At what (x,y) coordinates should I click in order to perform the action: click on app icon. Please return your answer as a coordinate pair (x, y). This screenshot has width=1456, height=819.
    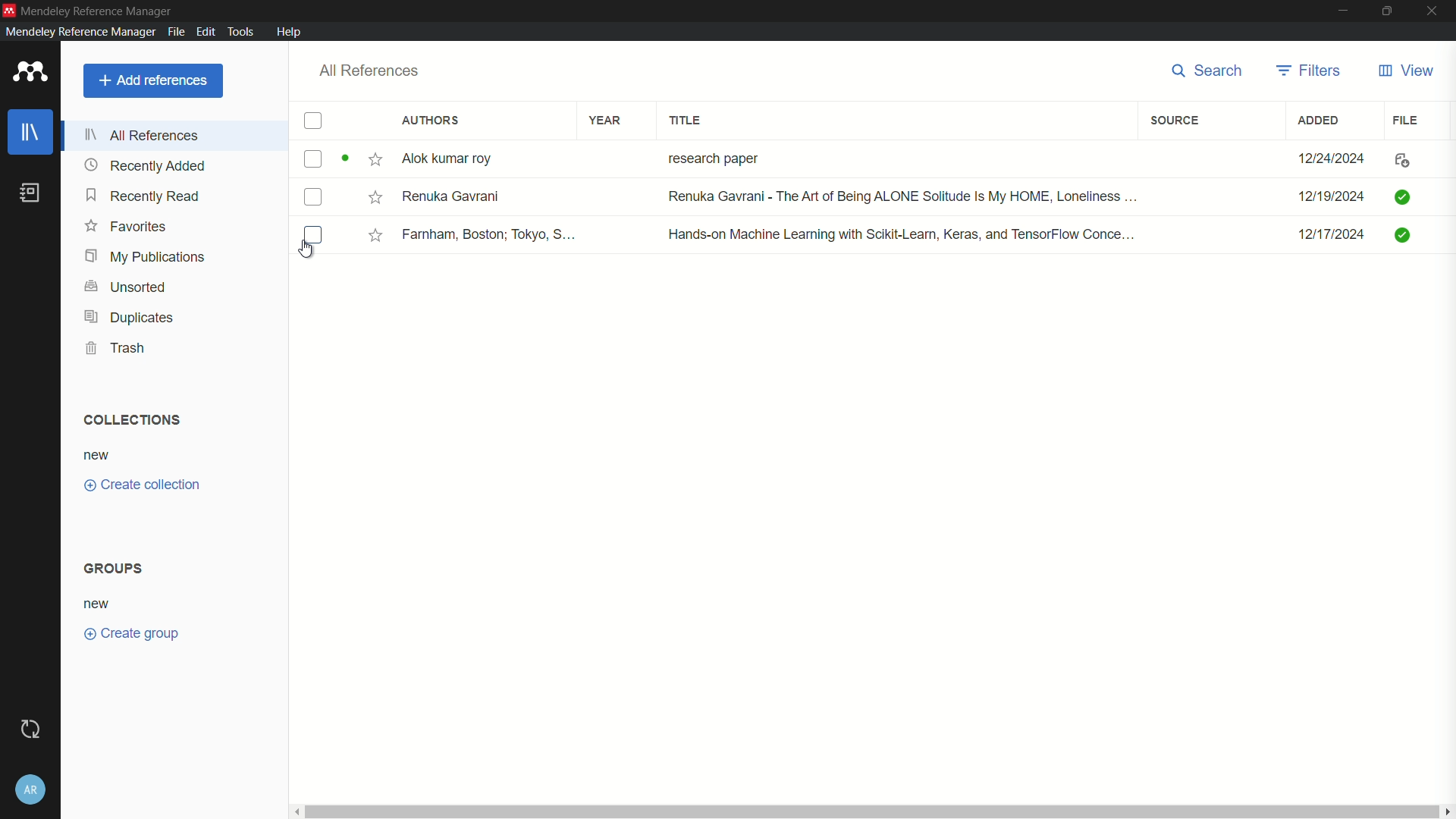
    Looking at the image, I should click on (9, 9).